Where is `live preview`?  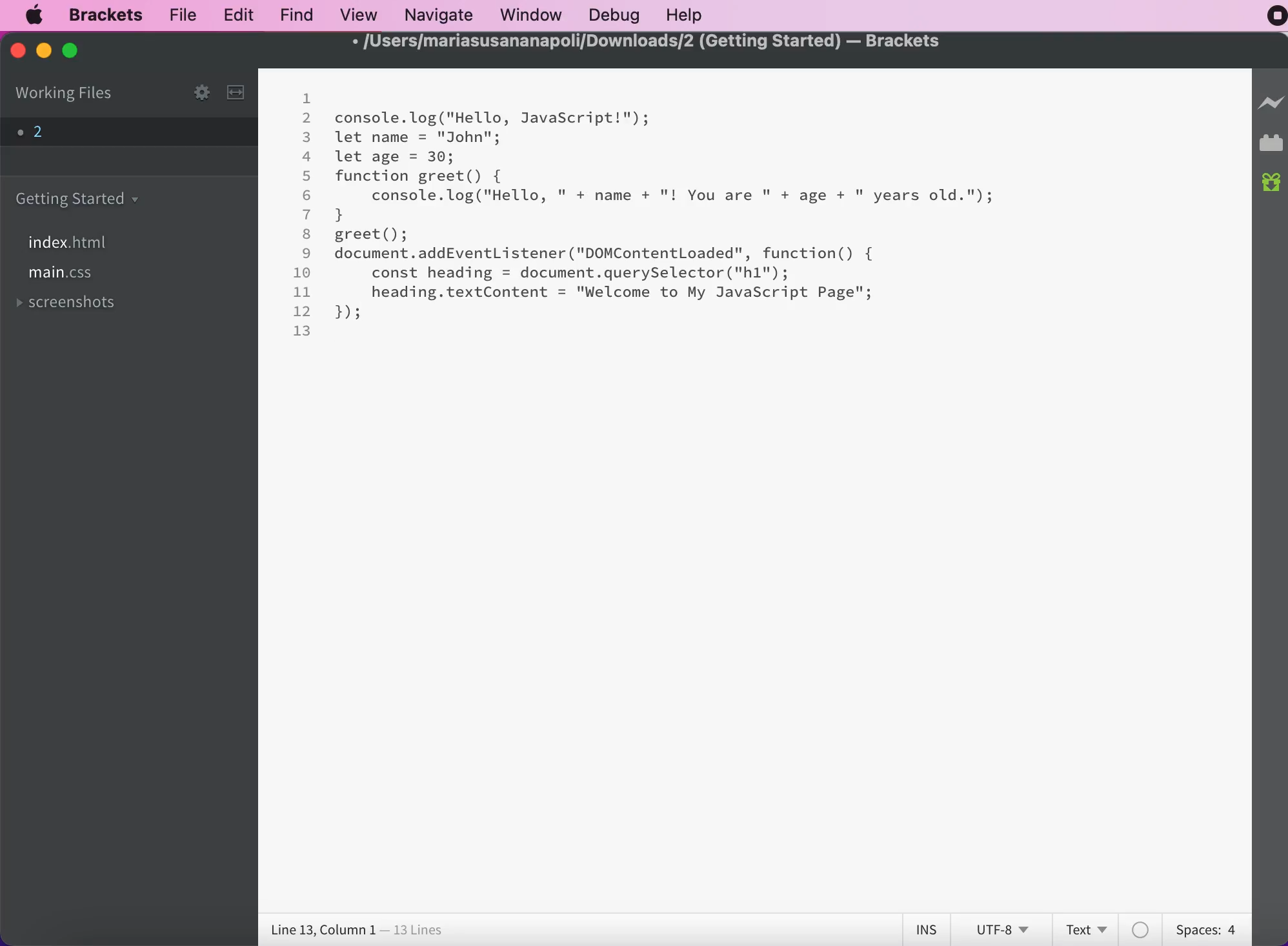 live preview is located at coordinates (1271, 103).